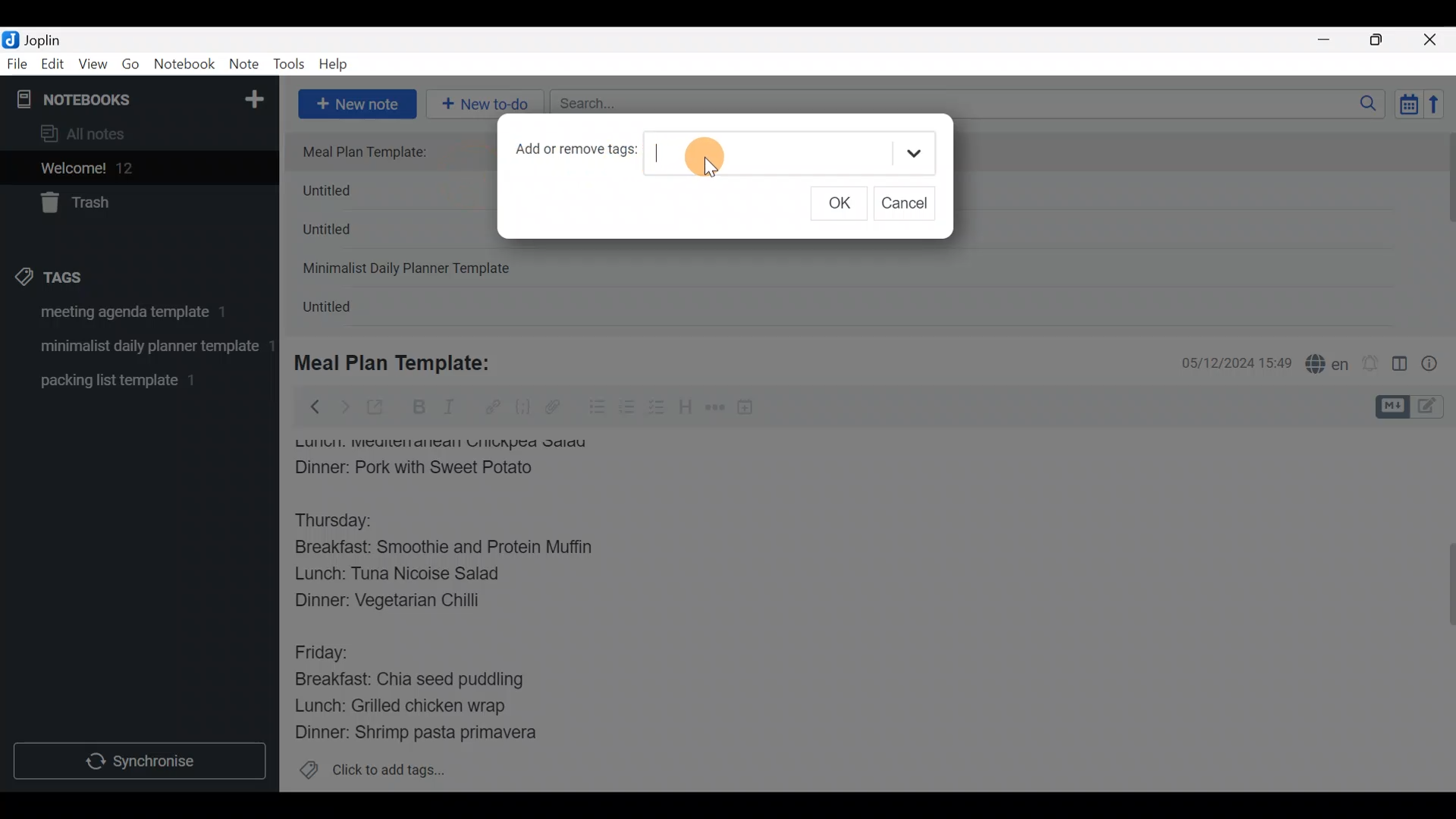 The image size is (1456, 819). What do you see at coordinates (52, 38) in the screenshot?
I see `Joplin` at bounding box center [52, 38].